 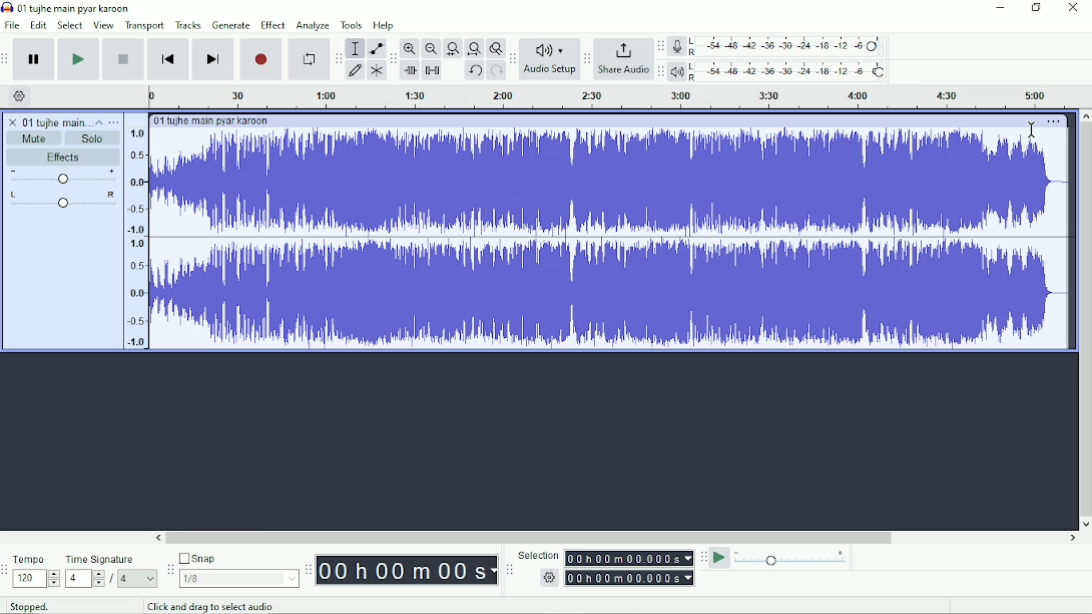 I want to click on Minimize, so click(x=1001, y=7).